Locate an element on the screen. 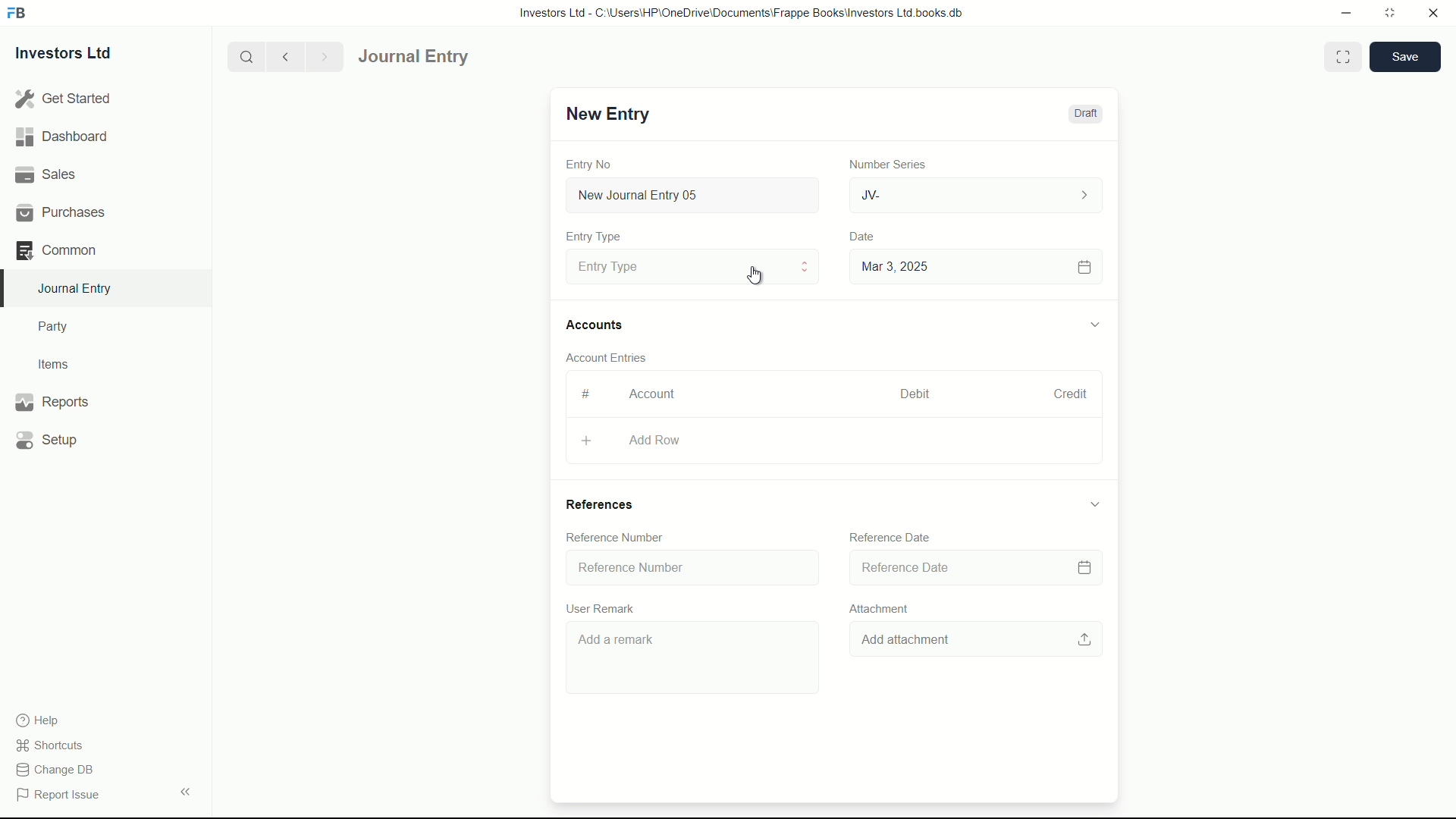 The image size is (1456, 819). expand/collapse is located at coordinates (1094, 322).